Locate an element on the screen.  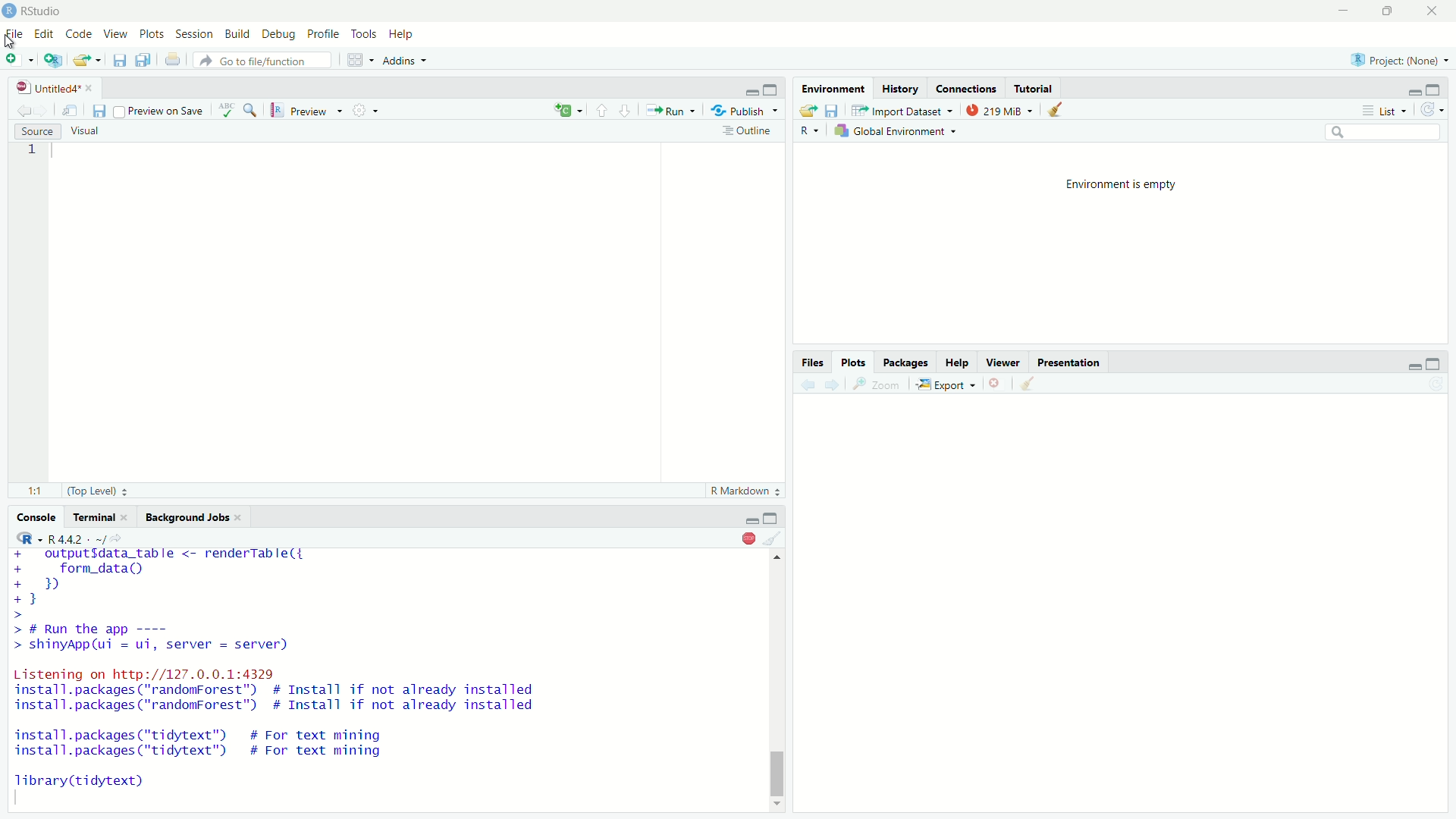
global environment is located at coordinates (898, 132).